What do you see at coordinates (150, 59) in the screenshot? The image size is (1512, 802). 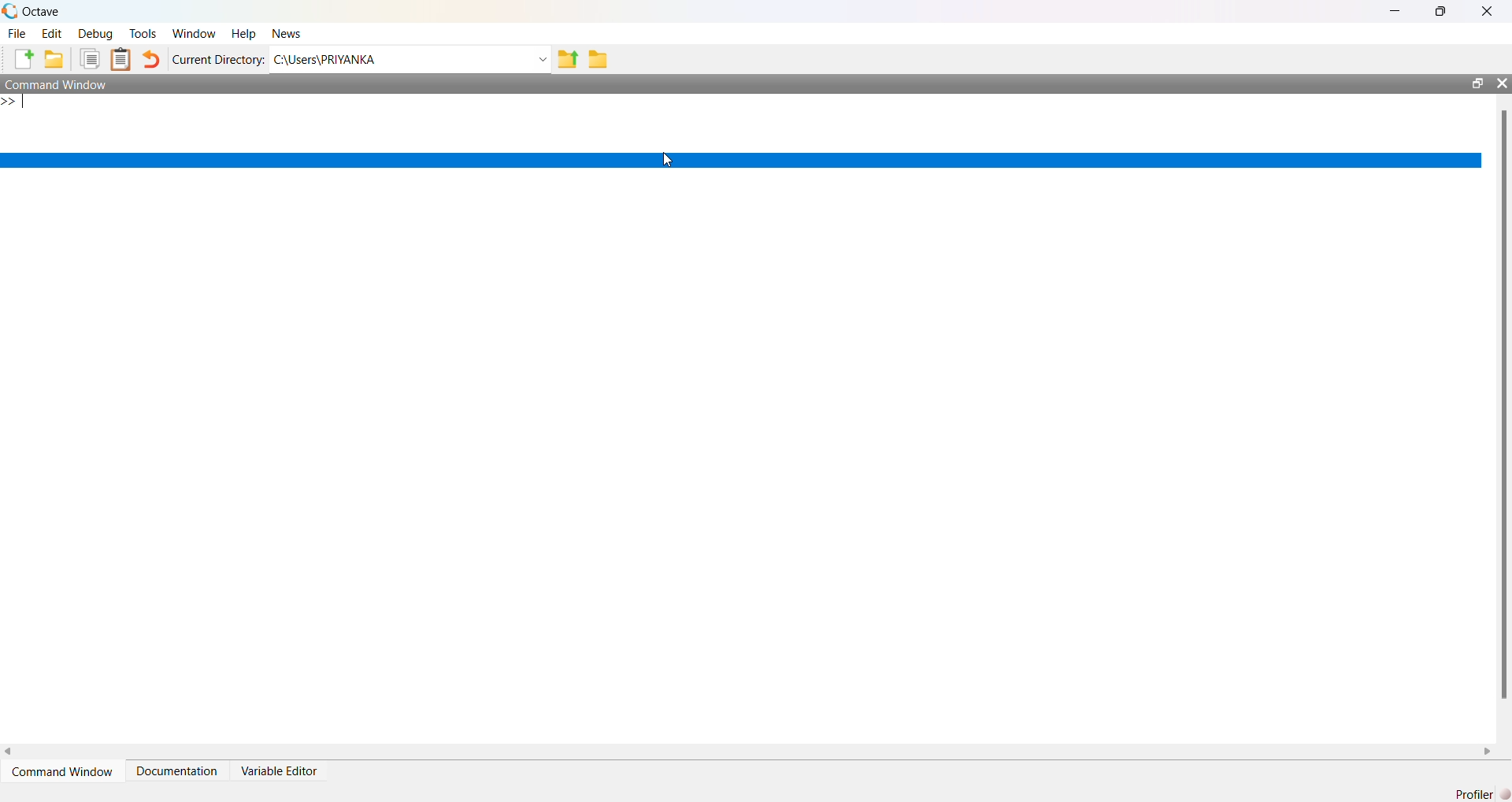 I see `Undo` at bounding box center [150, 59].